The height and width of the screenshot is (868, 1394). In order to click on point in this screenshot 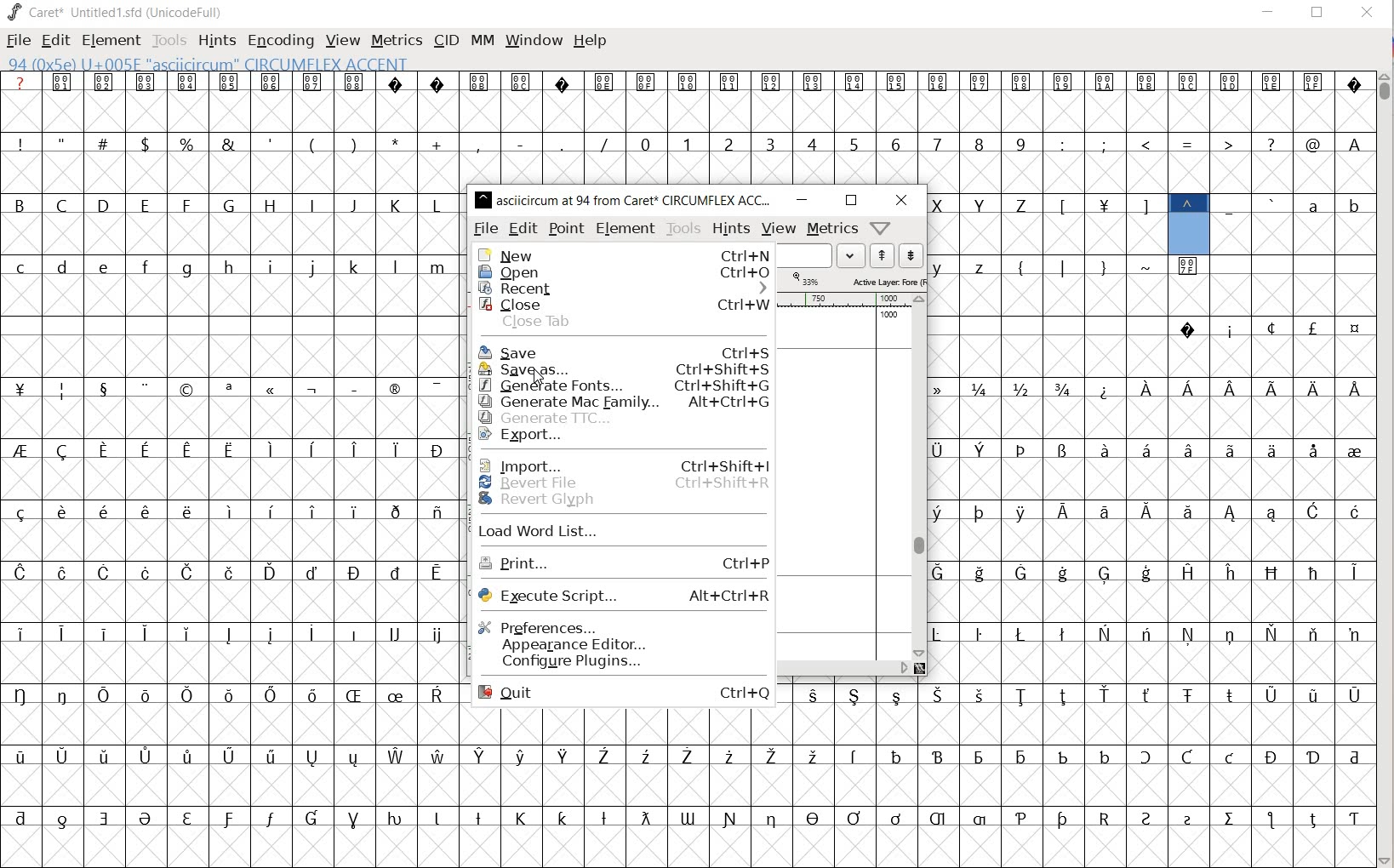, I will do `click(566, 227)`.